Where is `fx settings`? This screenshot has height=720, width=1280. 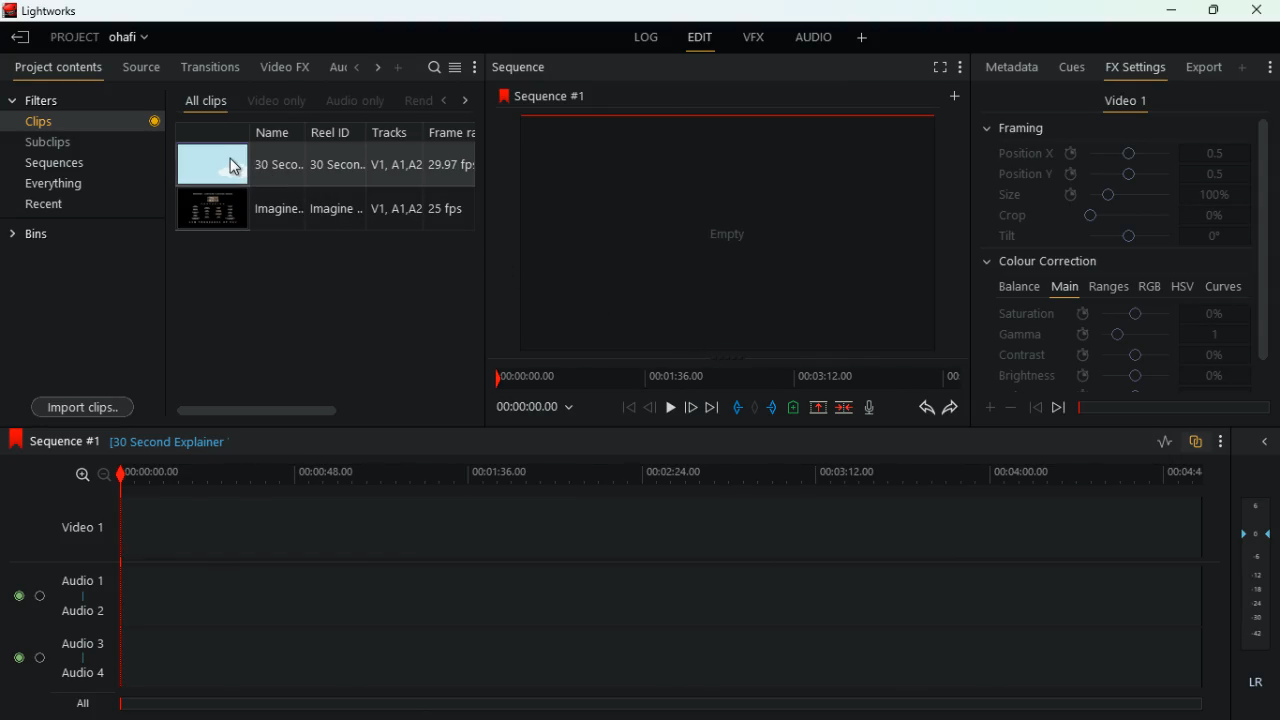
fx settings is located at coordinates (1134, 66).